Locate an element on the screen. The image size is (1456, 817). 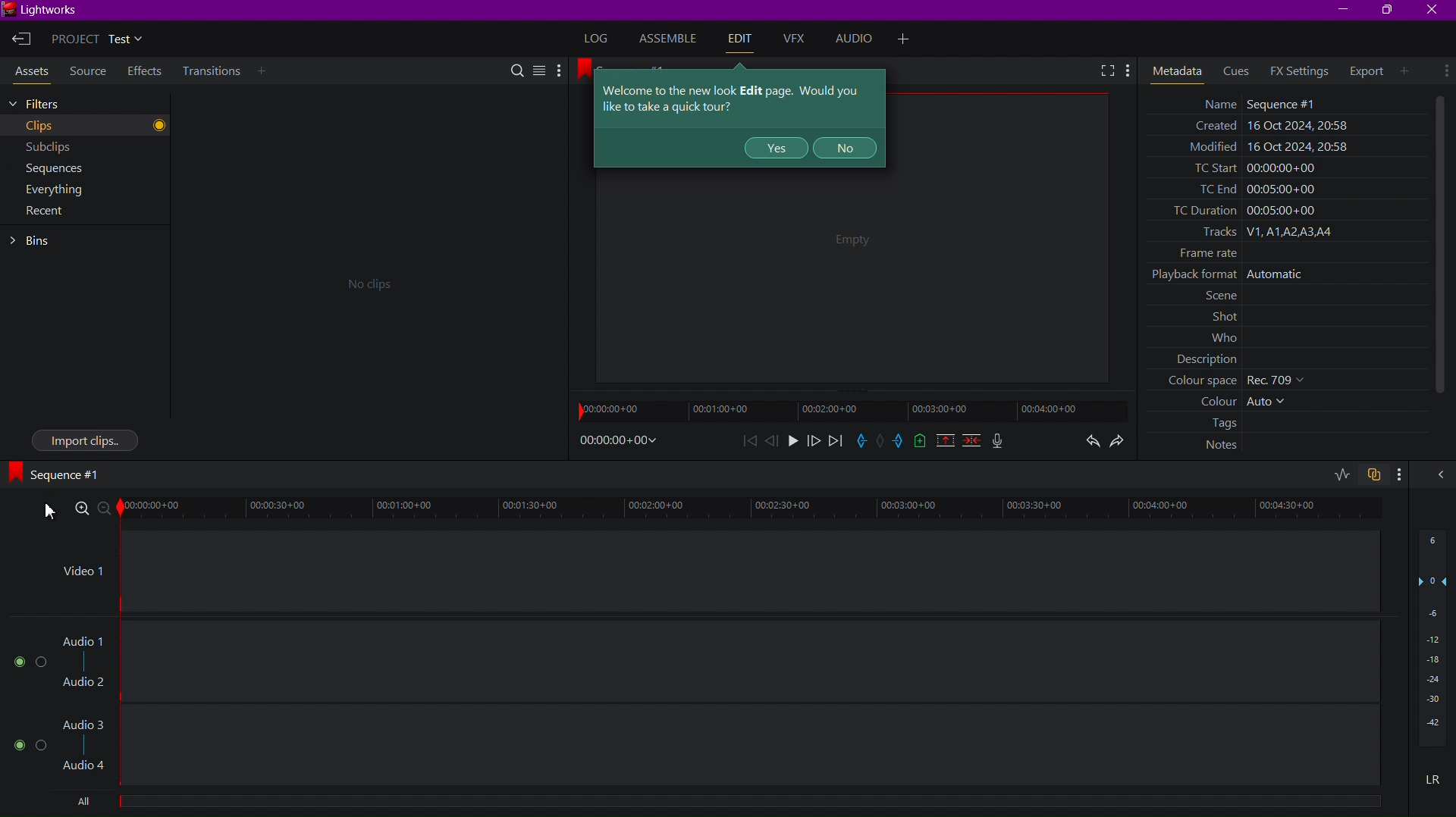
more is located at coordinates (1399, 475).